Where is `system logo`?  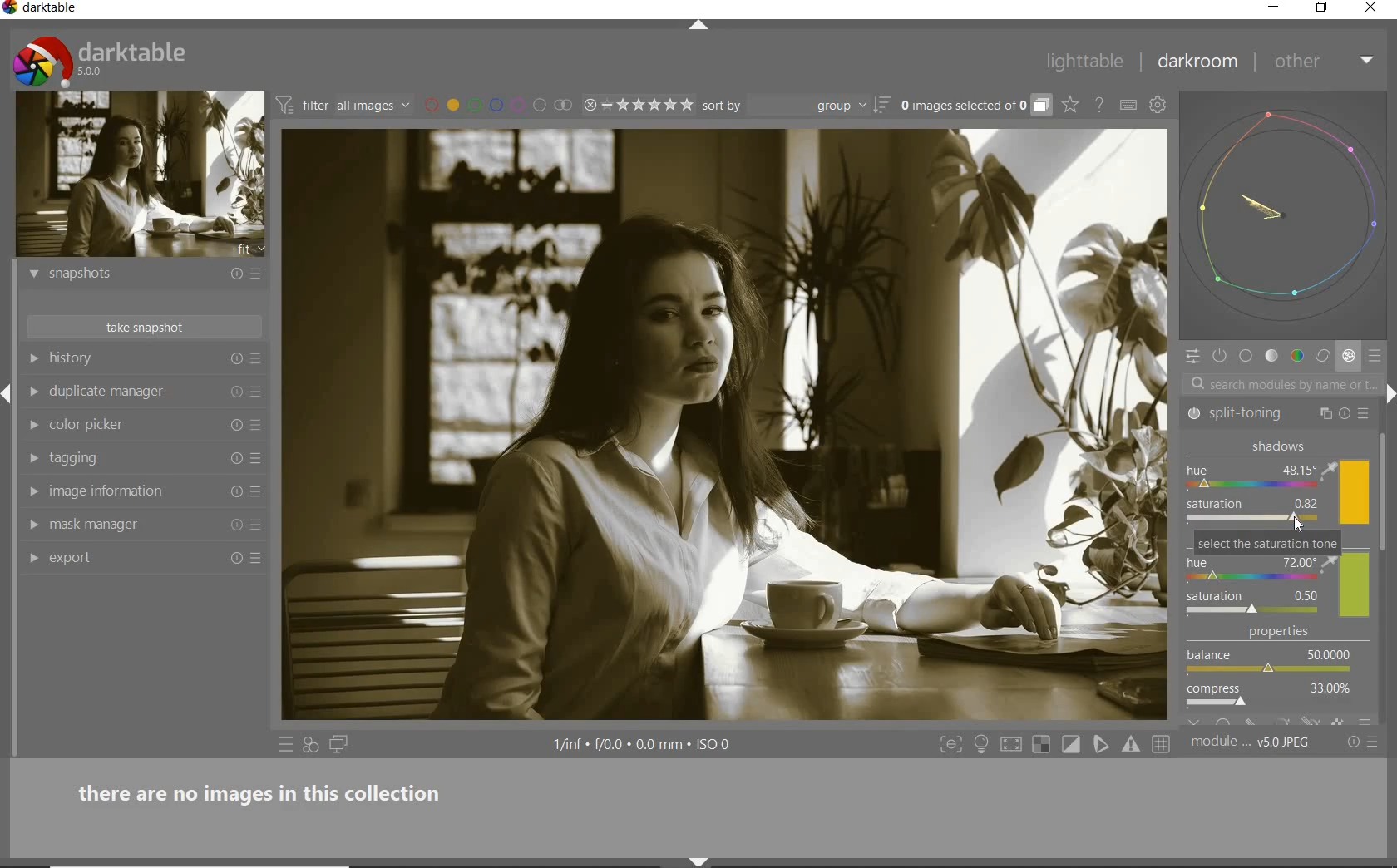
system logo is located at coordinates (101, 61).